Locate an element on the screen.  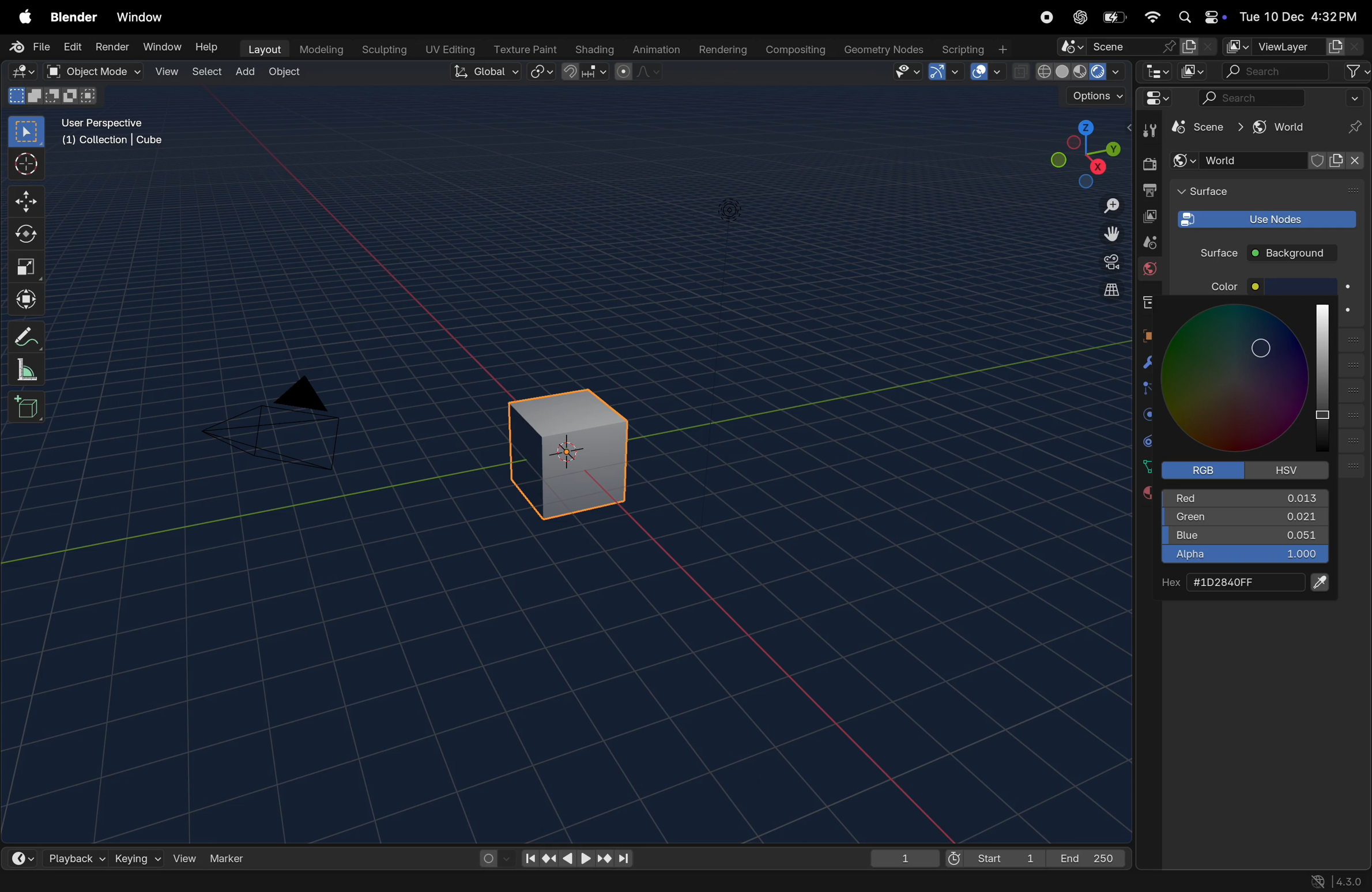
material is located at coordinates (1148, 494).